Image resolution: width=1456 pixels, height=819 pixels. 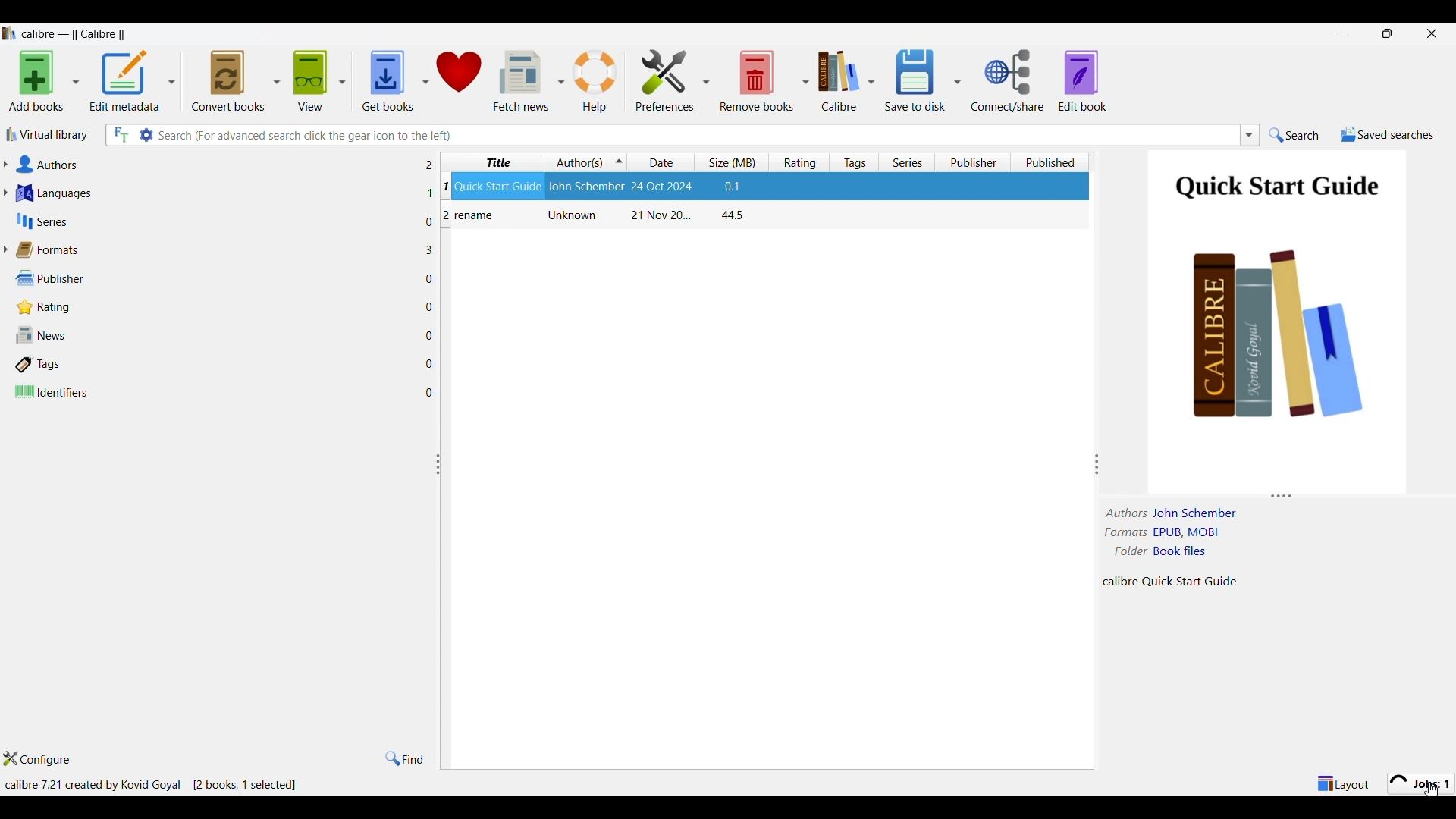 What do you see at coordinates (907, 162) in the screenshot?
I see `Series column` at bounding box center [907, 162].